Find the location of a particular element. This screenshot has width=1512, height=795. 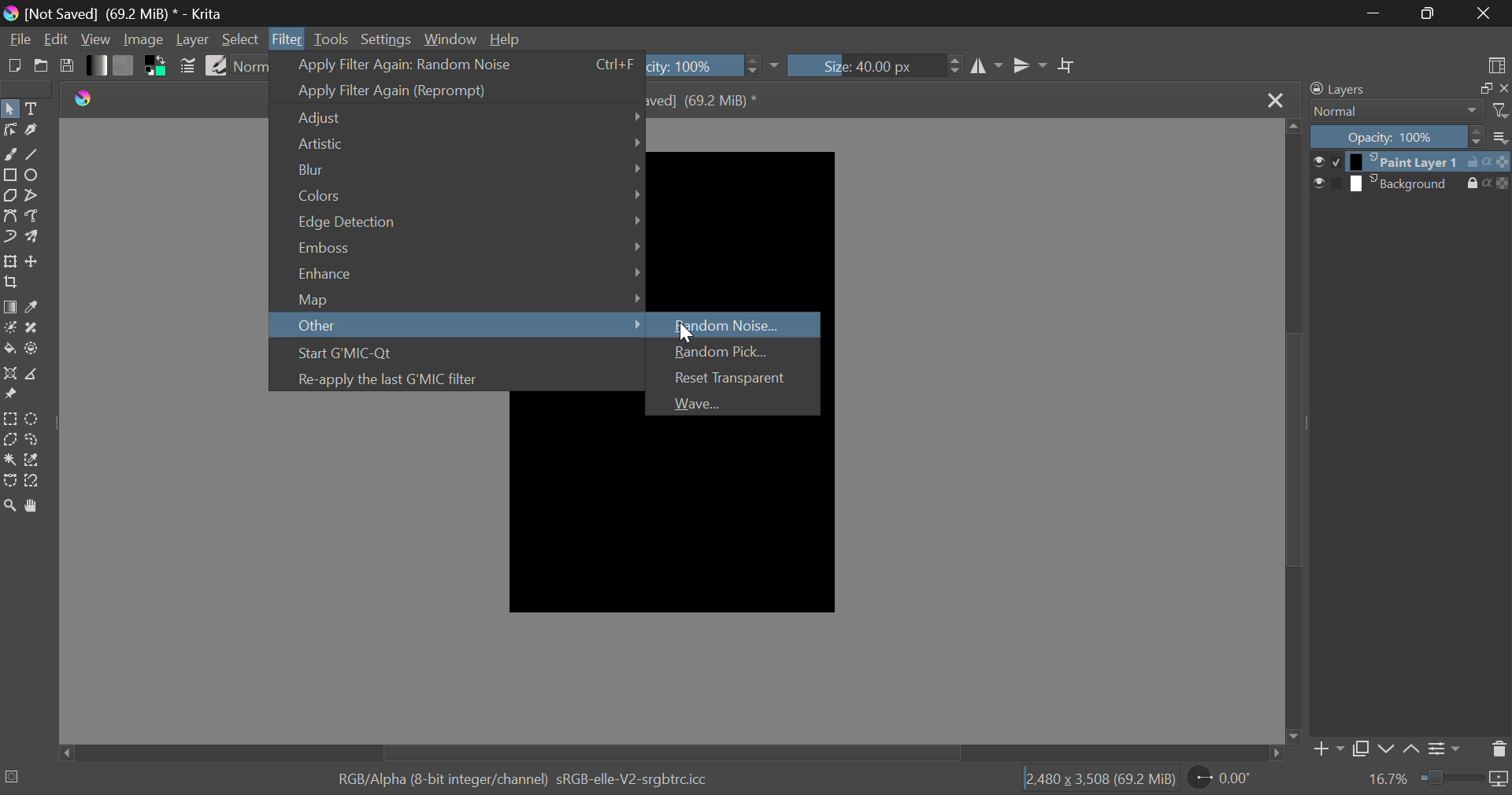

Bezier Curve is located at coordinates (11, 217).